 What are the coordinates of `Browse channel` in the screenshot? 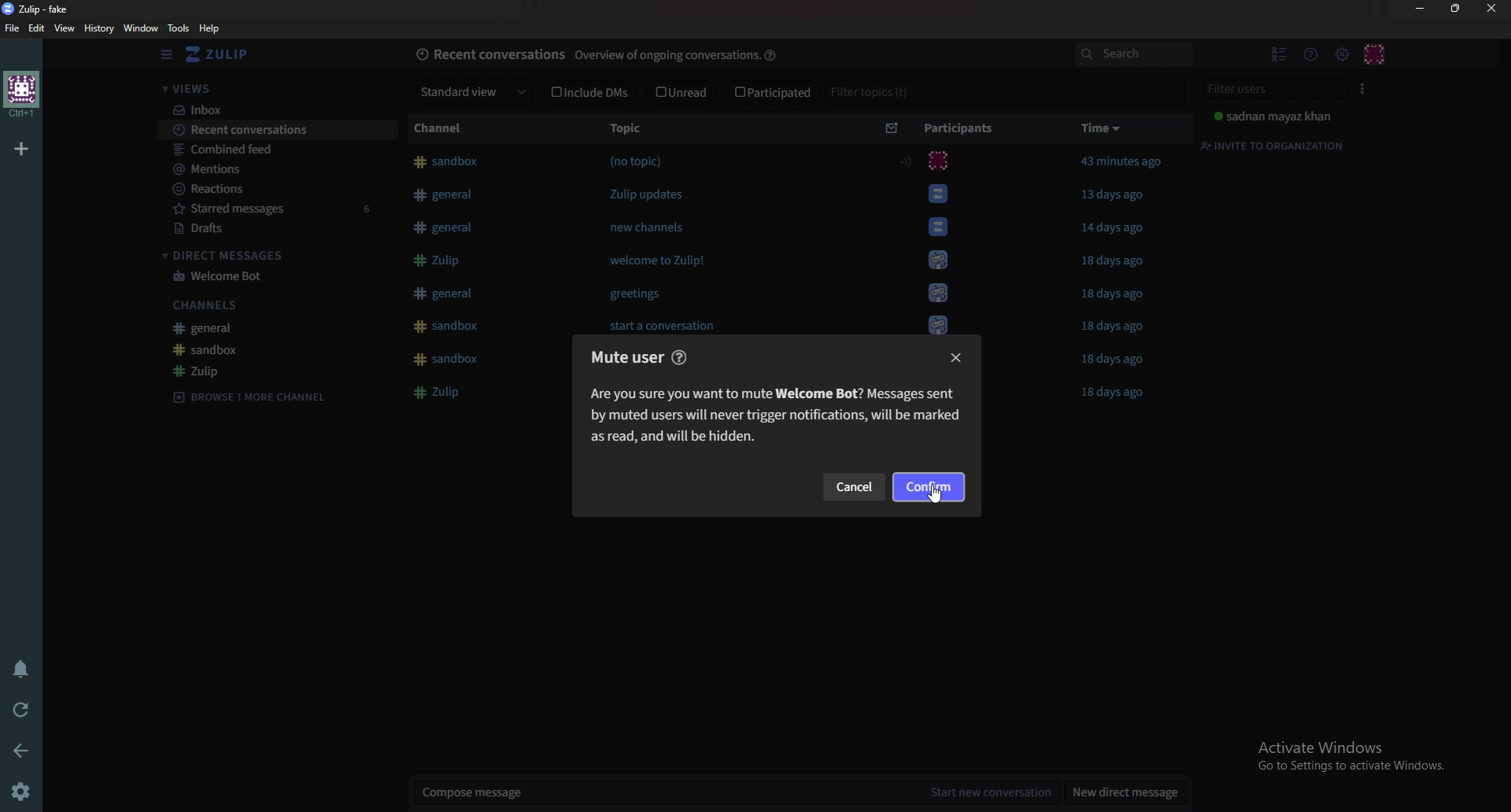 It's located at (255, 397).